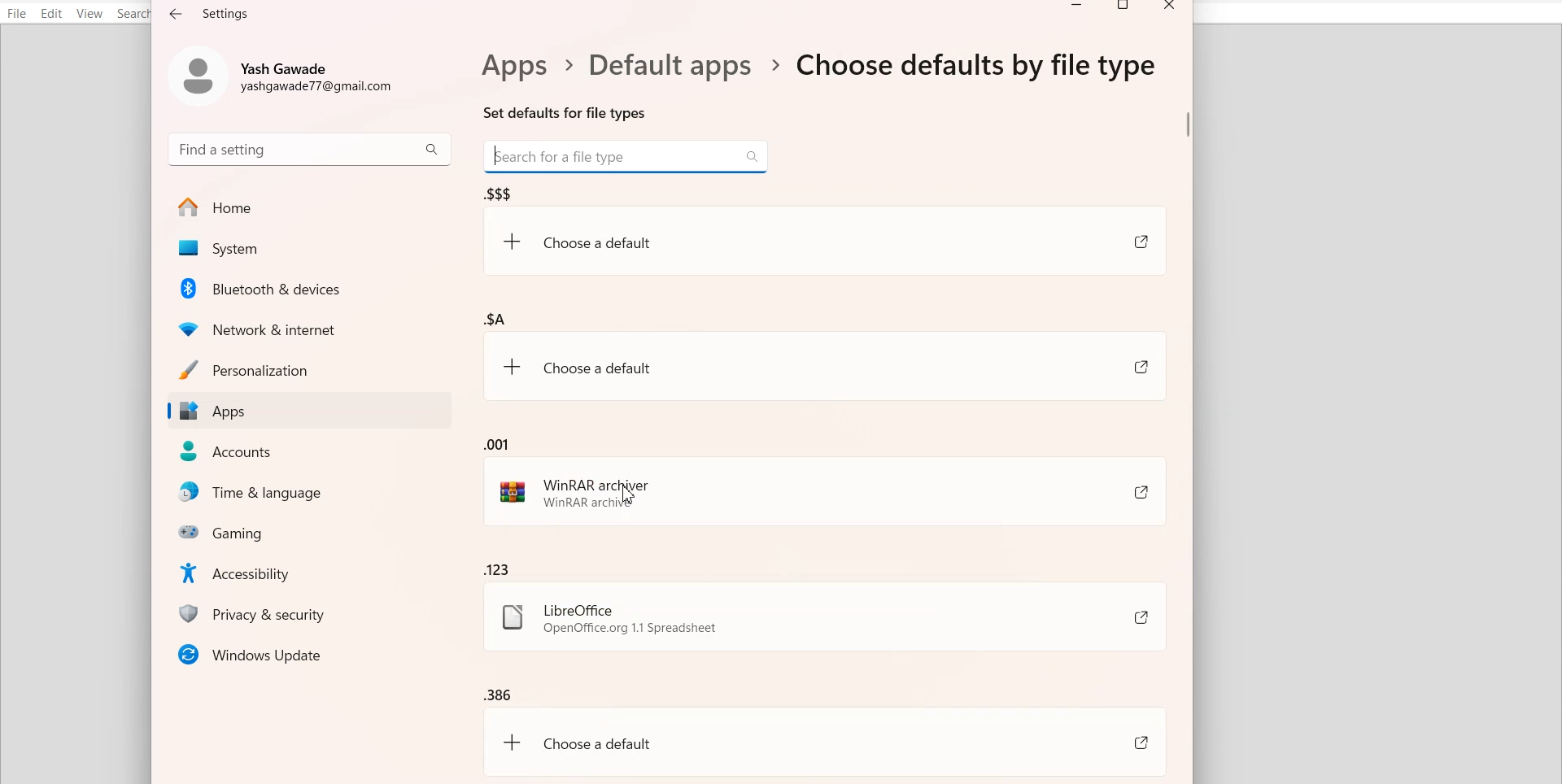 The height and width of the screenshot is (784, 1562). What do you see at coordinates (310, 148) in the screenshot?
I see `Search bar` at bounding box center [310, 148].